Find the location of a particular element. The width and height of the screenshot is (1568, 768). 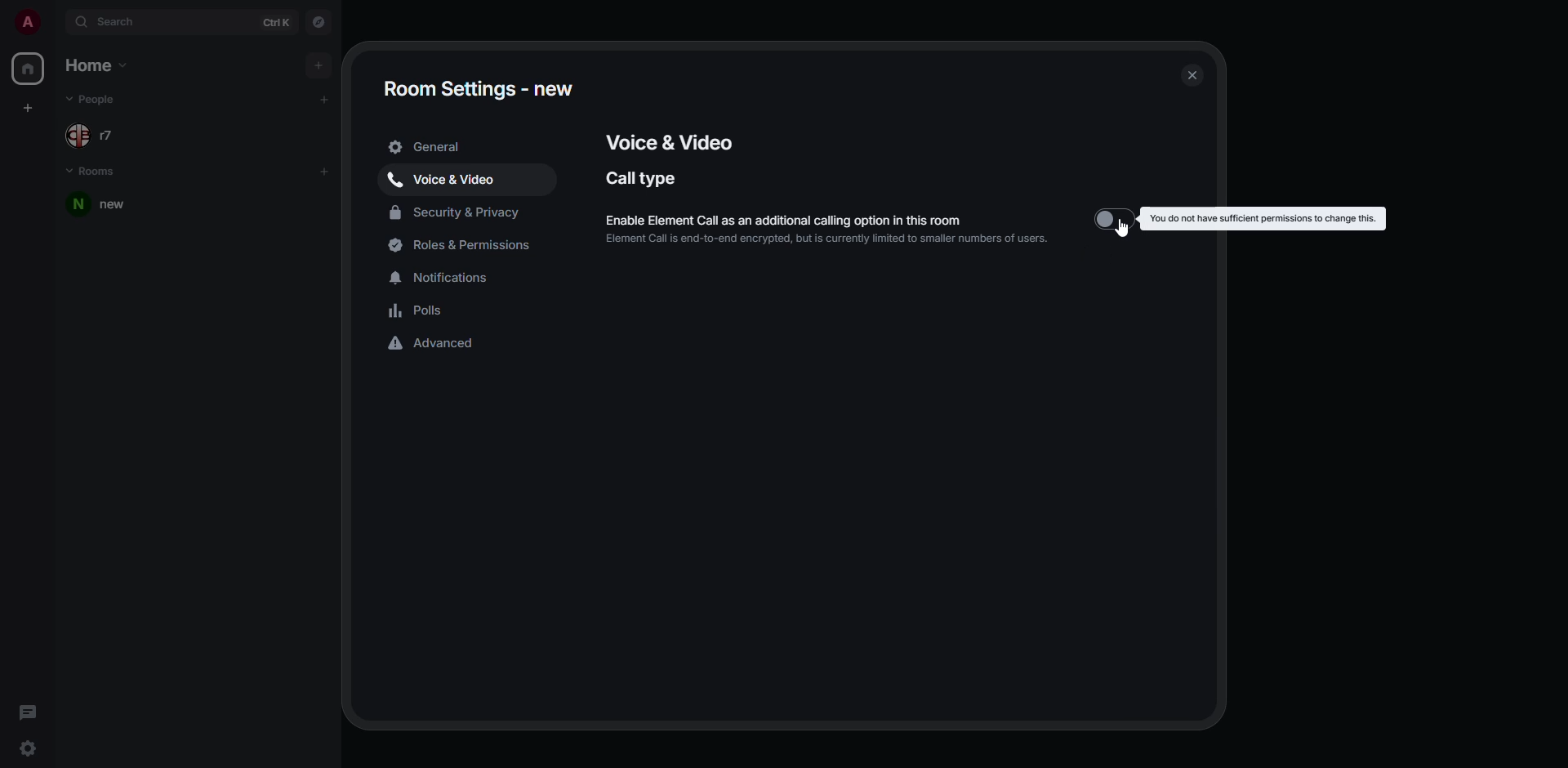

add is located at coordinates (316, 65).